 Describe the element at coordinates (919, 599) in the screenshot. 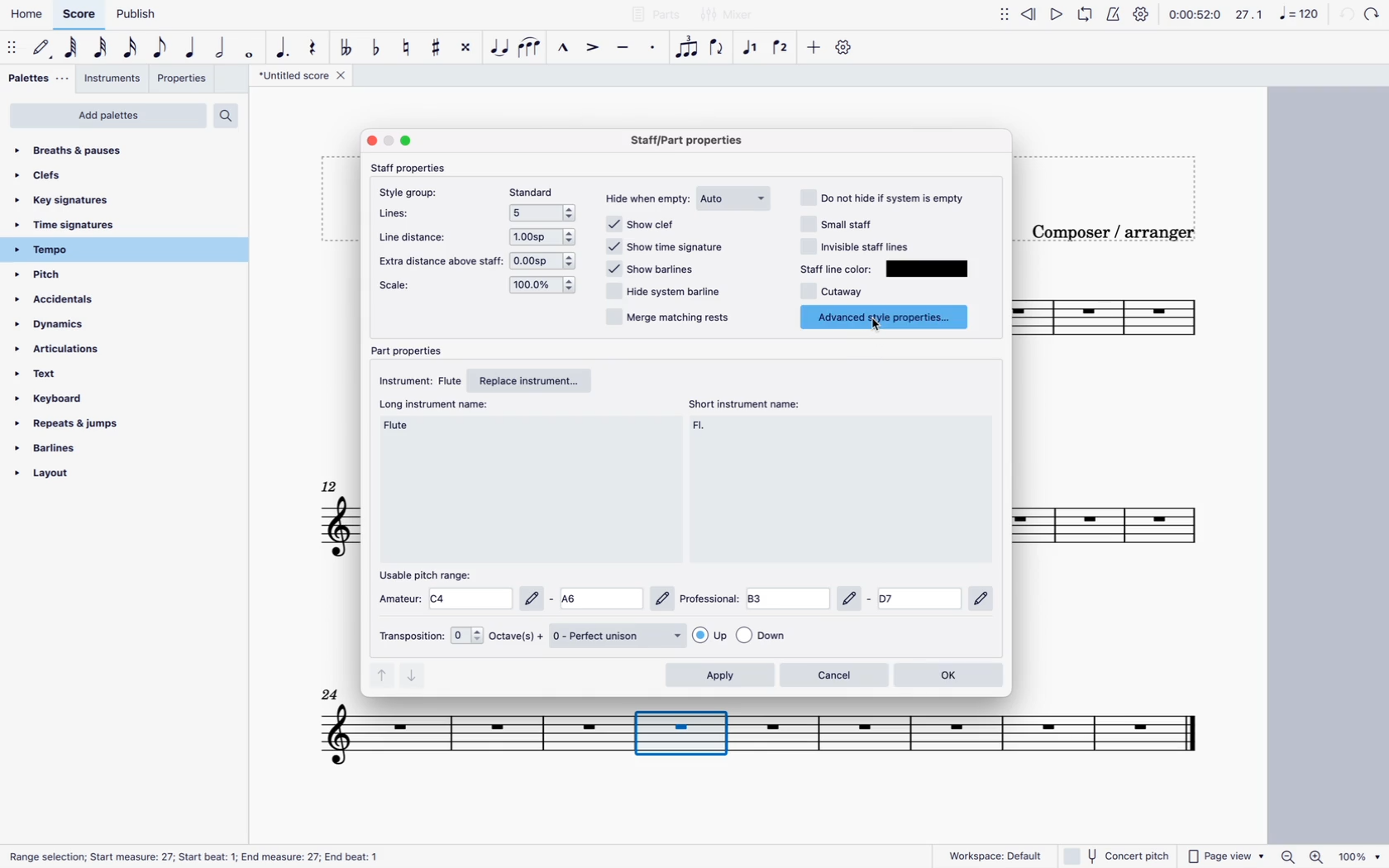

I see `` at that location.